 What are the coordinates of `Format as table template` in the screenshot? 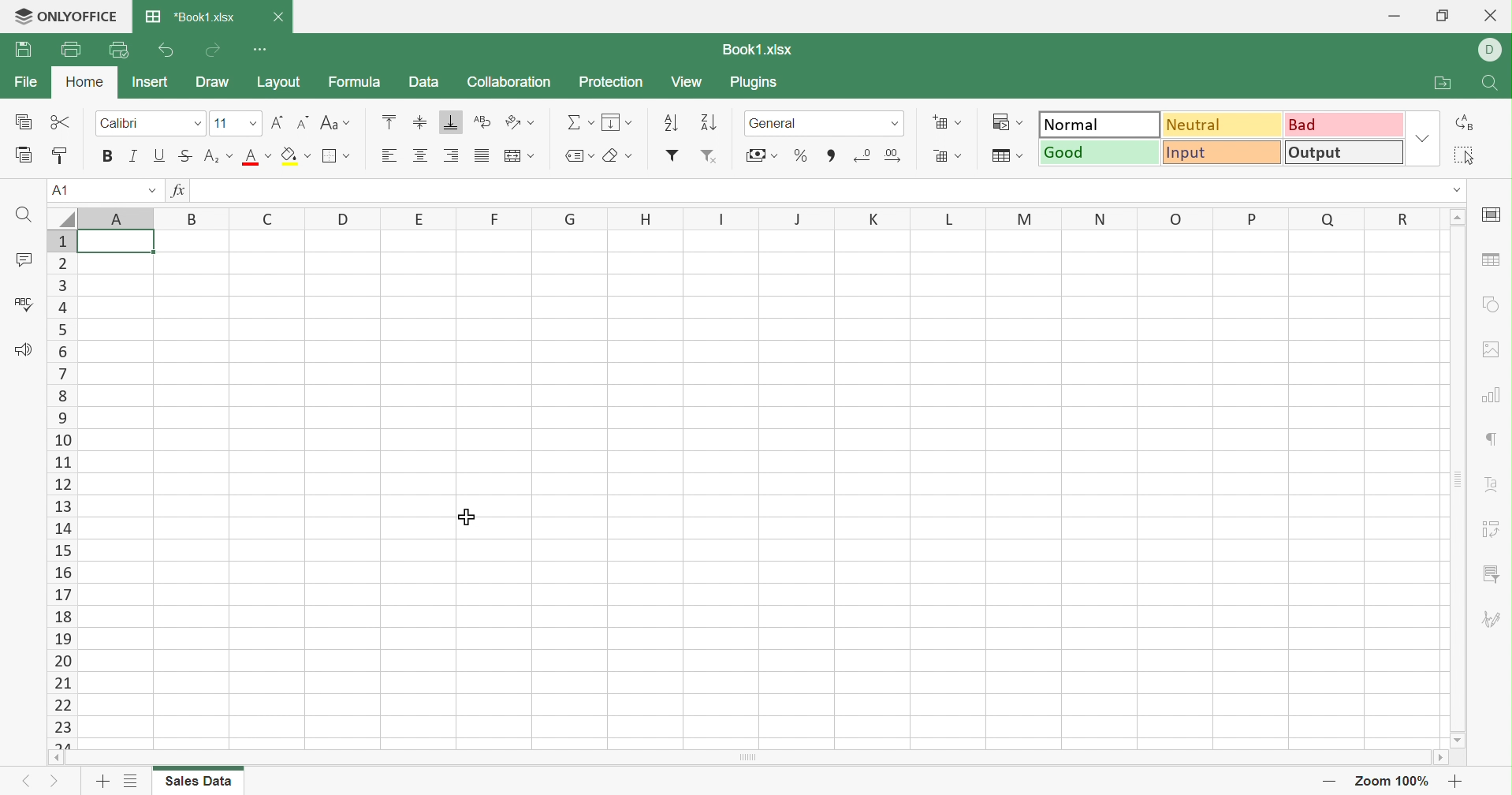 It's located at (1008, 154).